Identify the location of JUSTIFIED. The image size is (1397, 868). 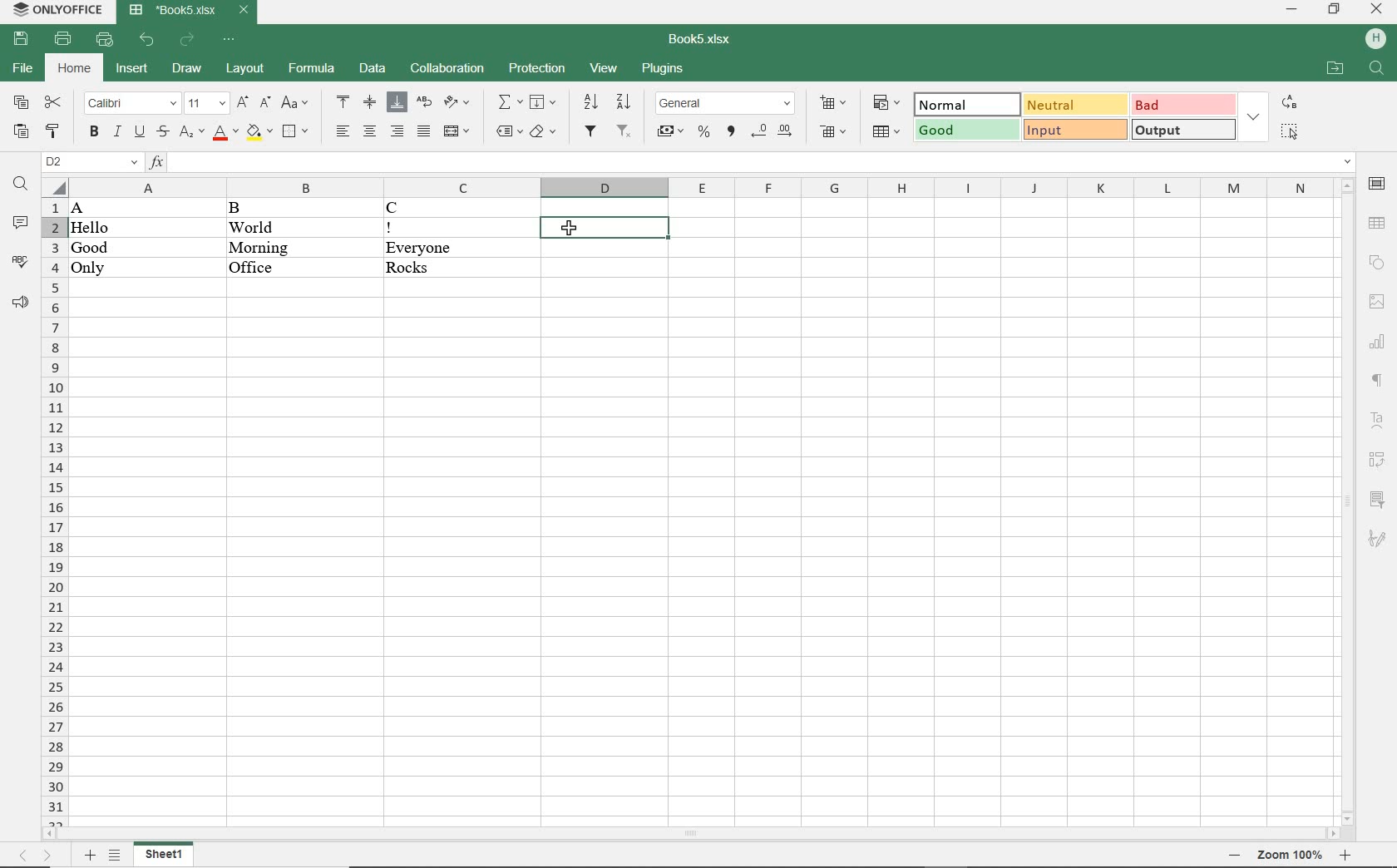
(422, 133).